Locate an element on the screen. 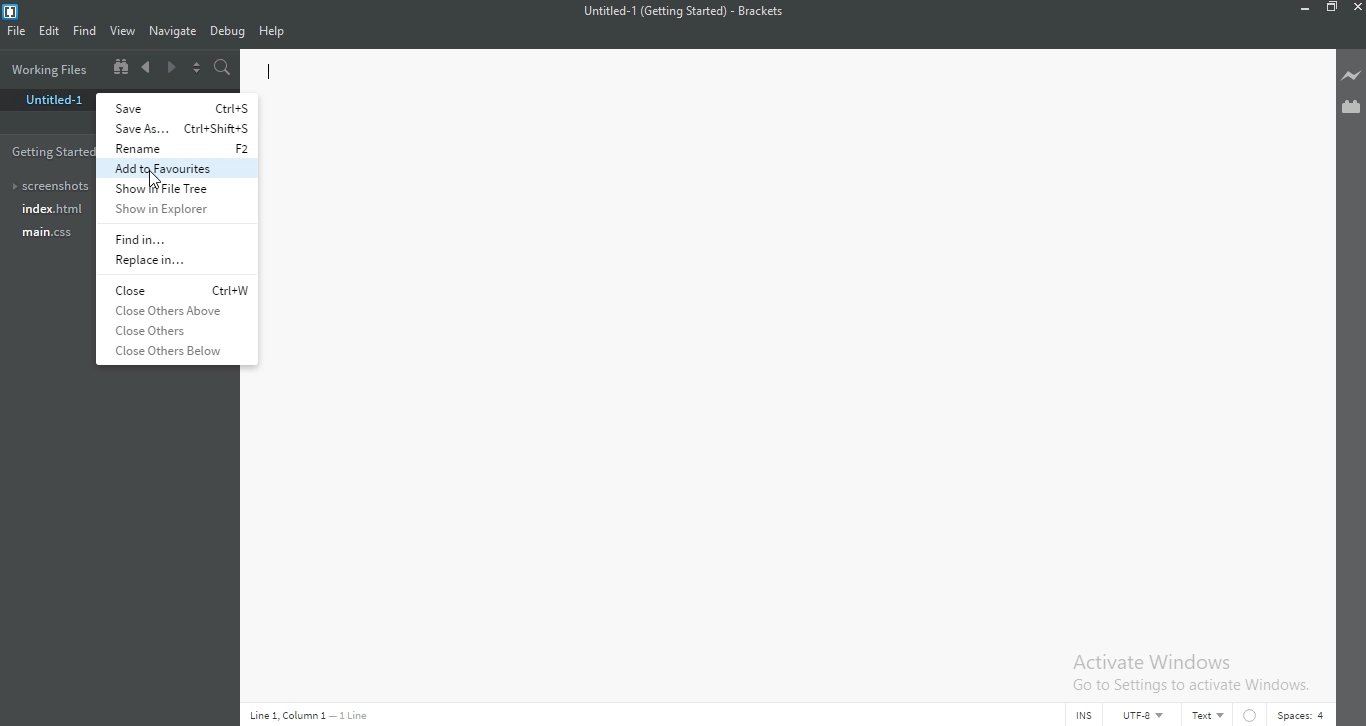  show file tree is located at coordinates (176, 189).